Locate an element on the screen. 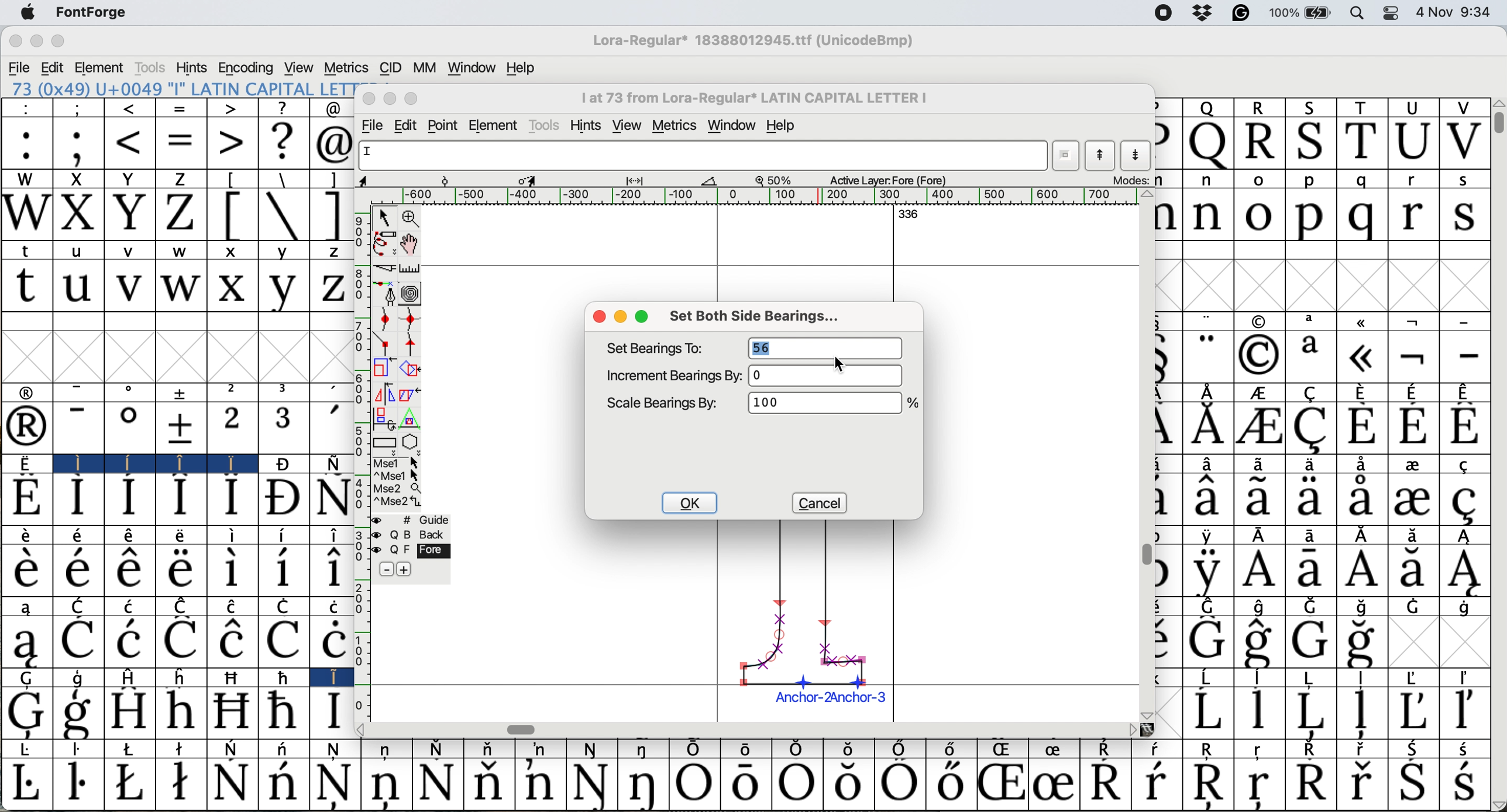 This screenshot has width=1507, height=812. @ is located at coordinates (333, 144).